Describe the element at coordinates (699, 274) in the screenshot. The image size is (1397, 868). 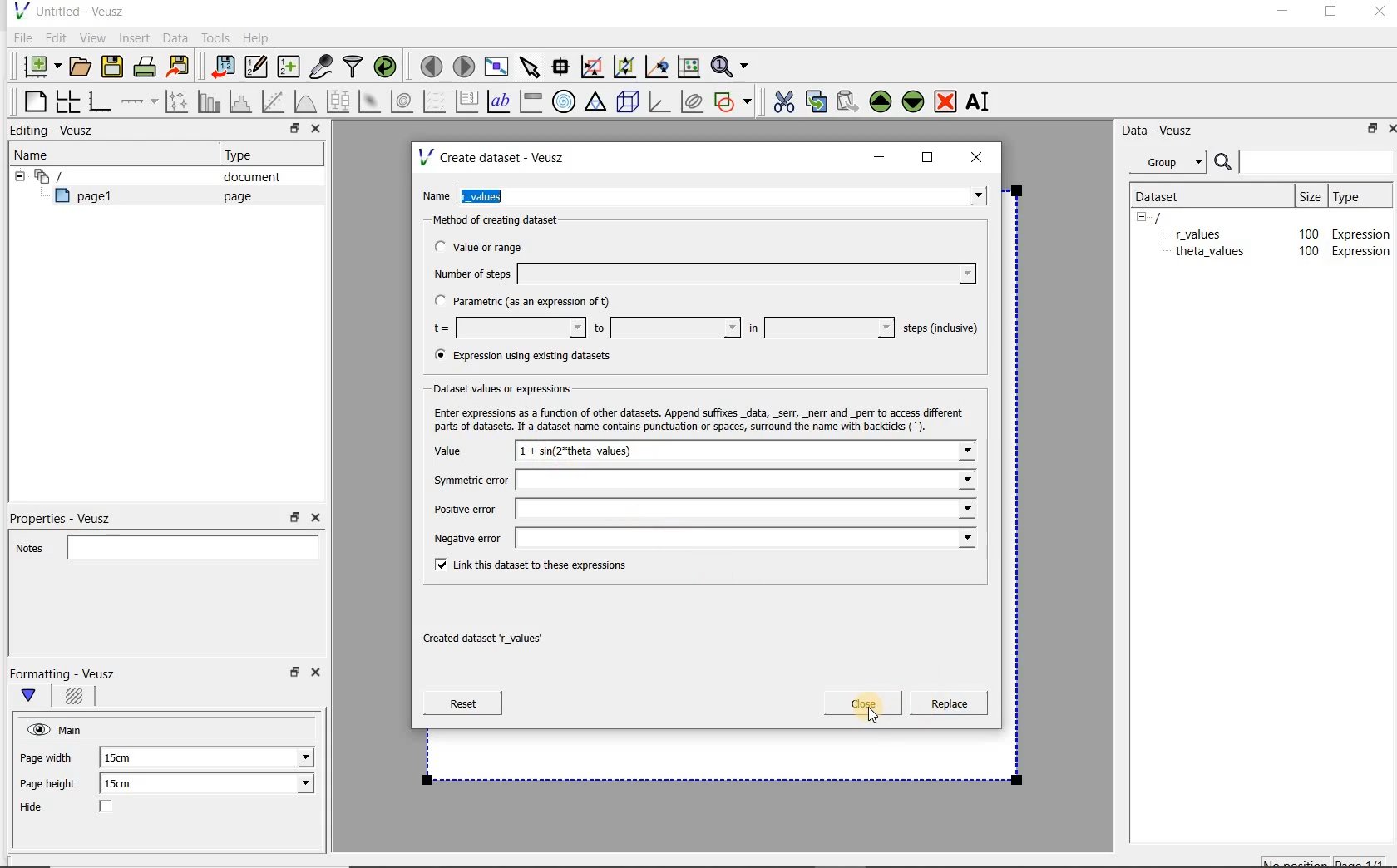
I see `Number of steps` at that location.